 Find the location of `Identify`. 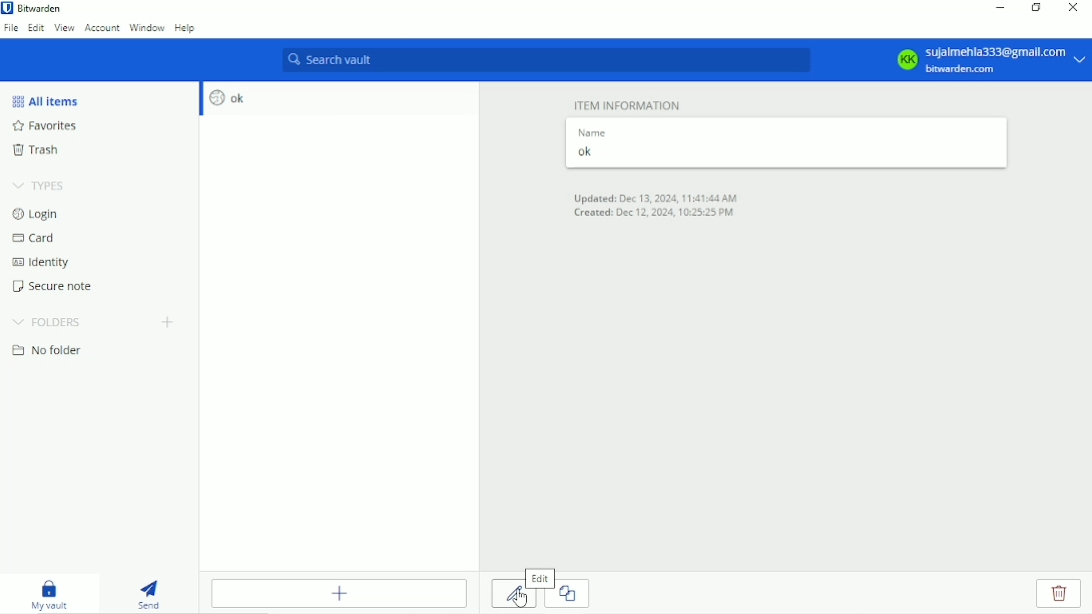

Identify is located at coordinates (44, 263).